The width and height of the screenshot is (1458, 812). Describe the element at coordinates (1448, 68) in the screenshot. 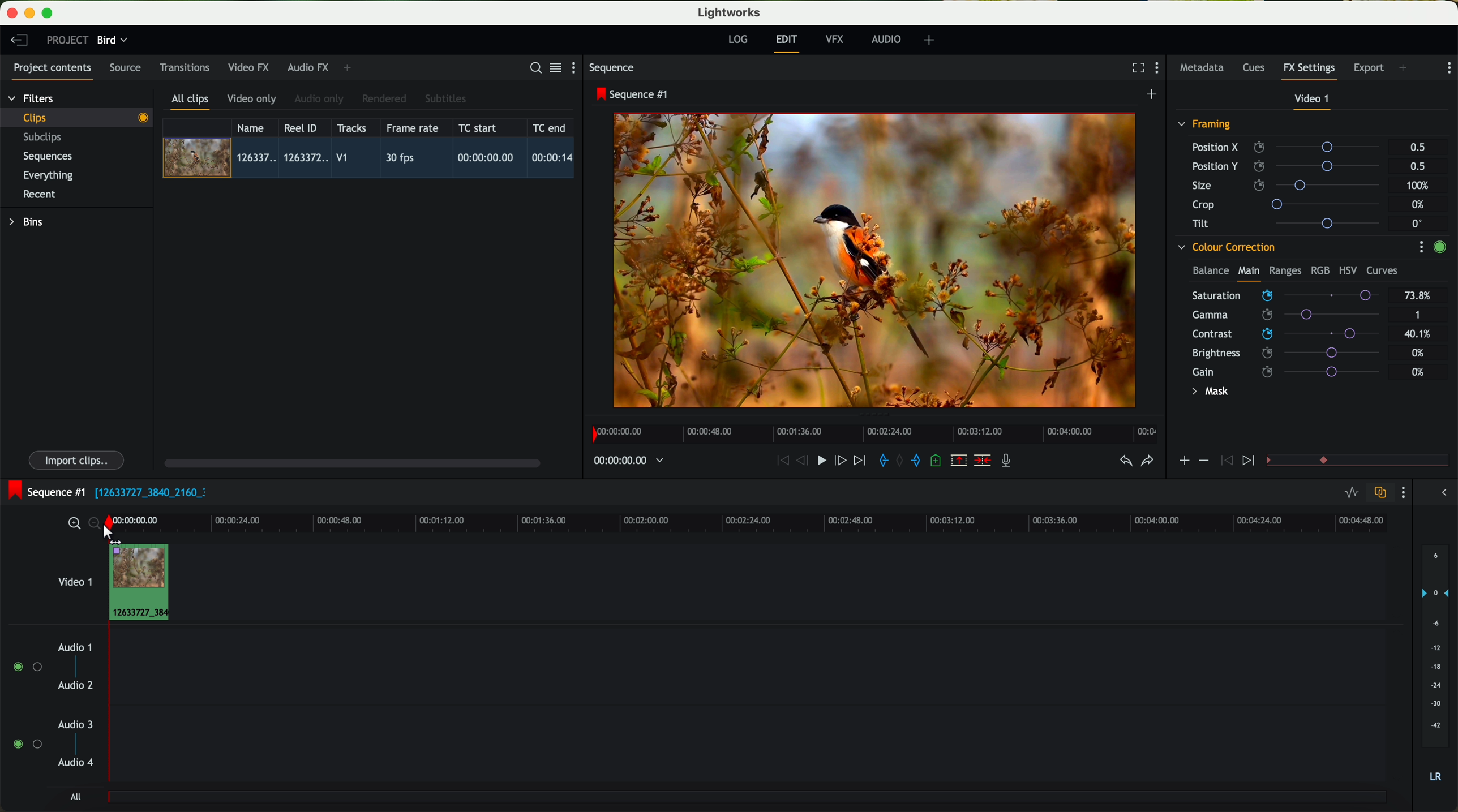

I see `show settings menu` at that location.